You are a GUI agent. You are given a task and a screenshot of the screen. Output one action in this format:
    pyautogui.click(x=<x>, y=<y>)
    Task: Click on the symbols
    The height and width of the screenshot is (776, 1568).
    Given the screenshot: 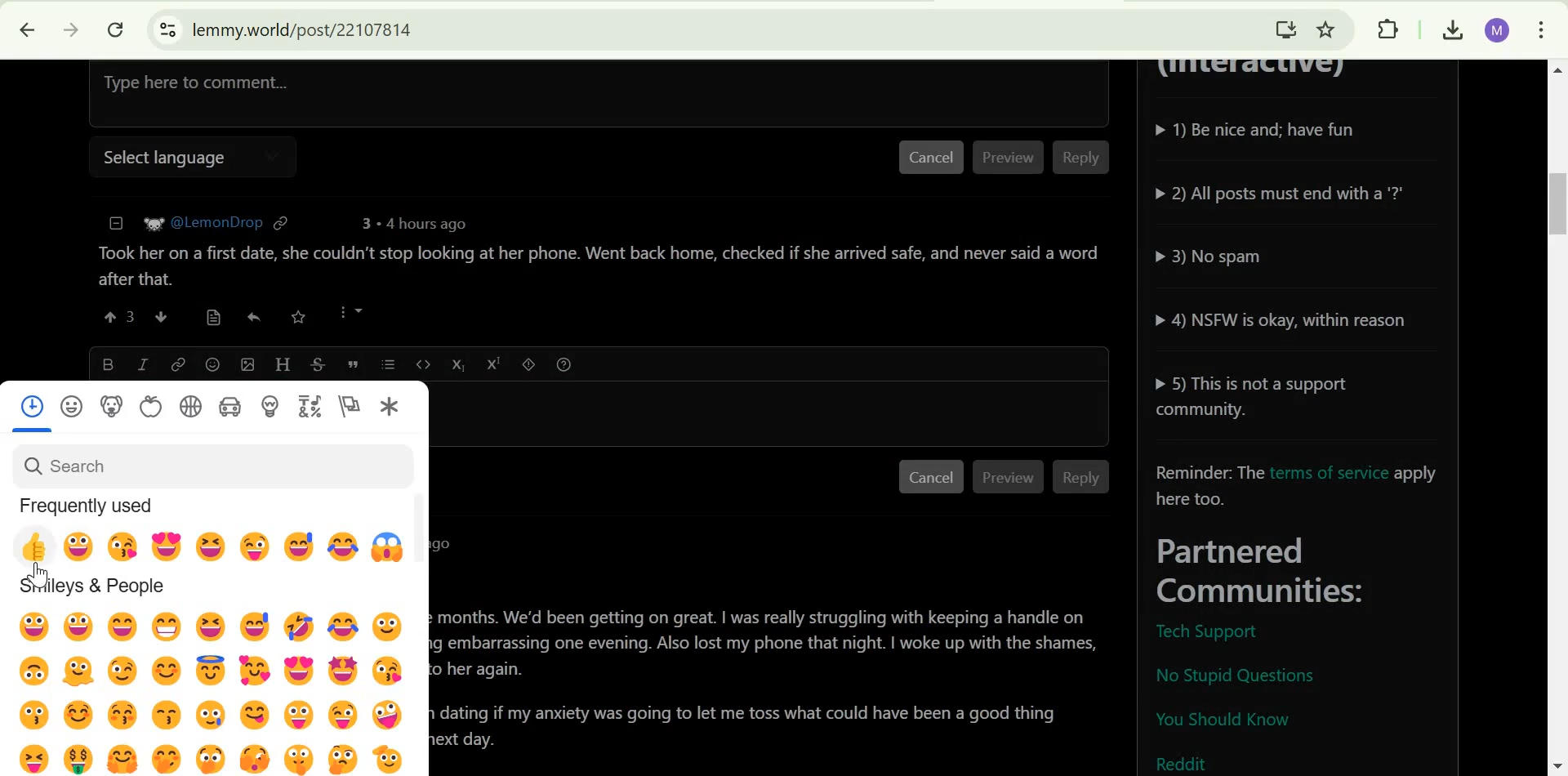 What is the action you would take?
    pyautogui.click(x=309, y=406)
    